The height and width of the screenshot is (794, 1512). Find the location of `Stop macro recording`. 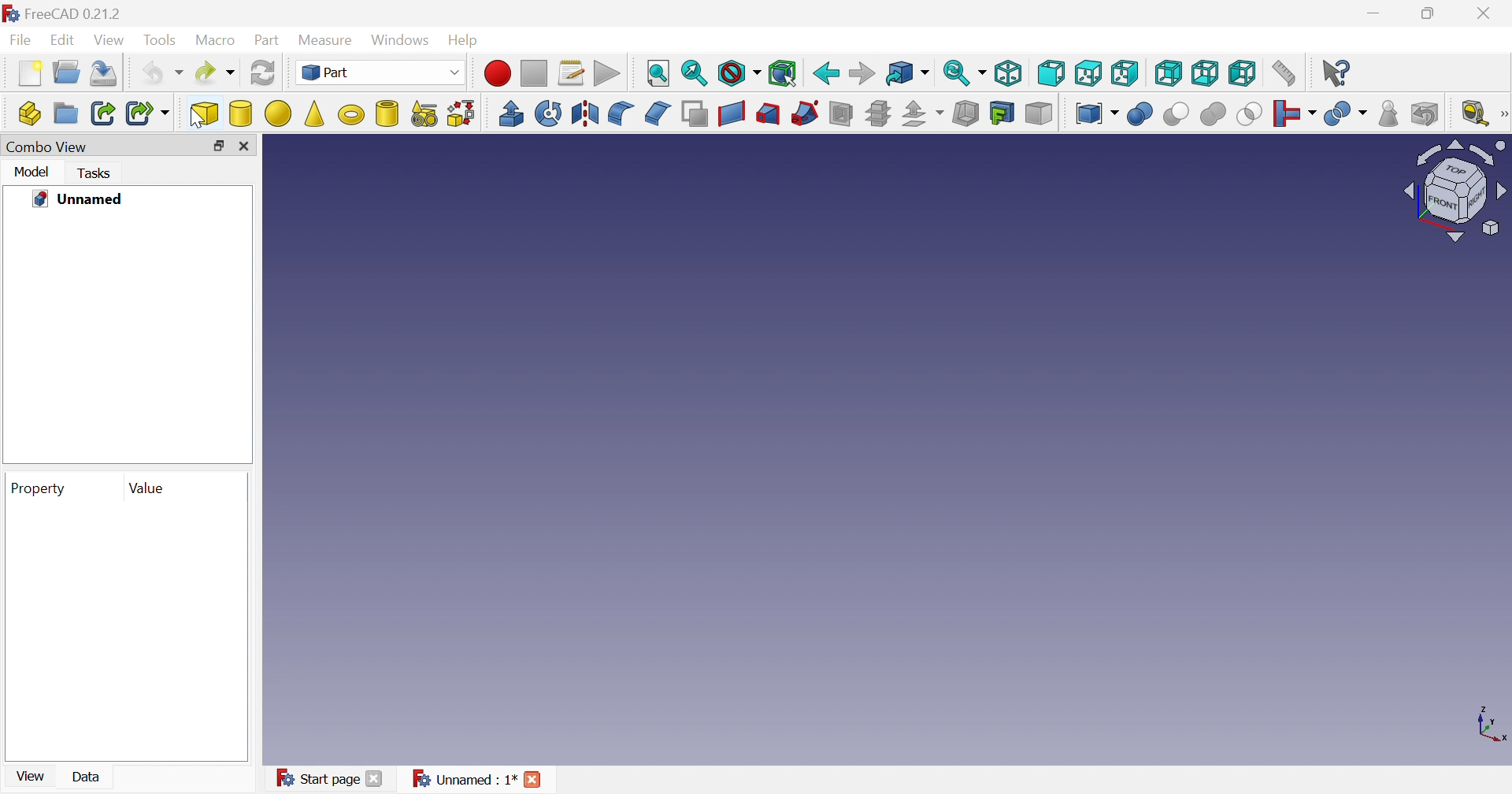

Stop macro recording is located at coordinates (533, 72).